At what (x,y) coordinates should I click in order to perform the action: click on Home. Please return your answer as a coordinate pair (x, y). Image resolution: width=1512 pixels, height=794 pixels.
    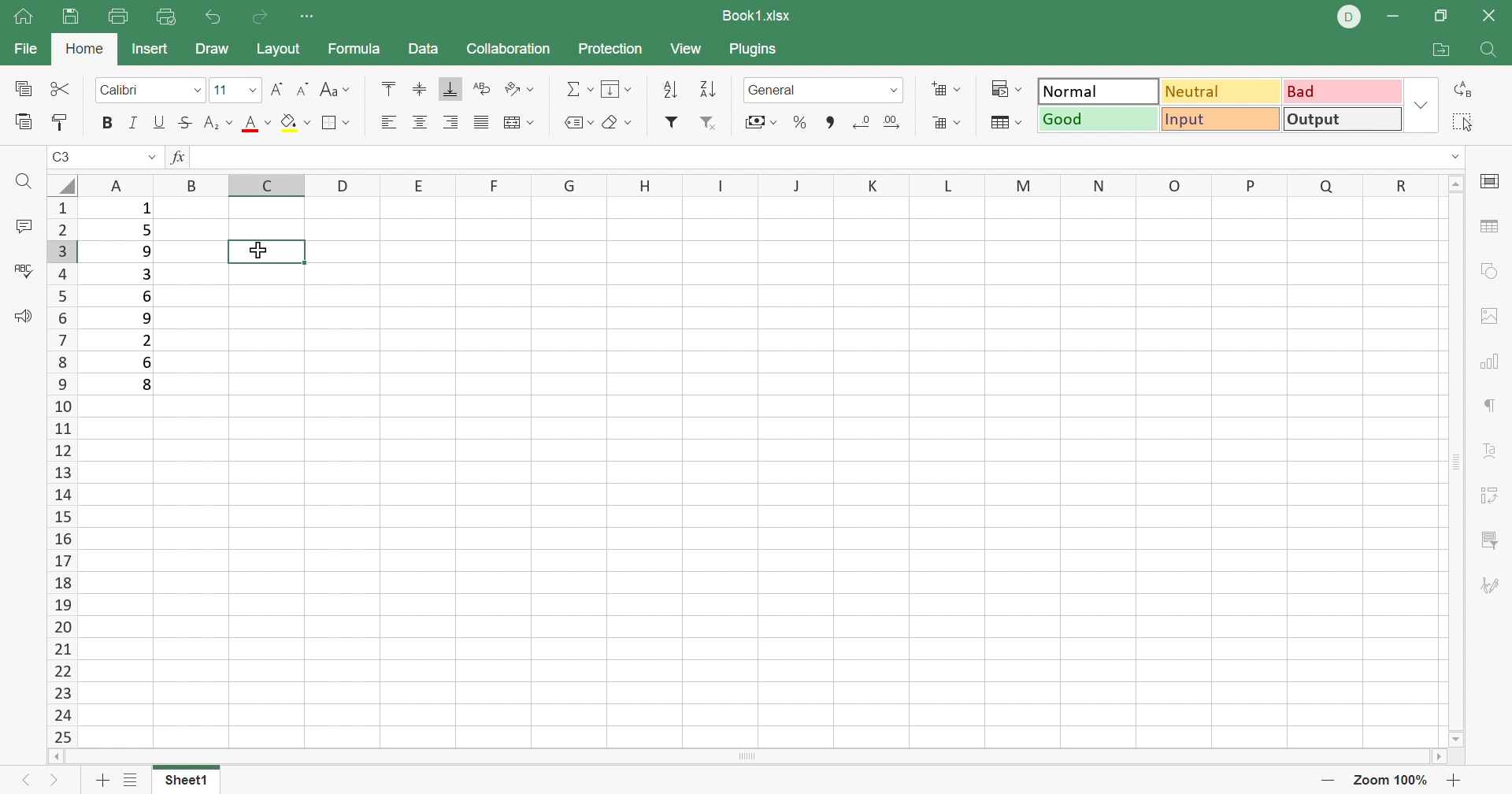
    Looking at the image, I should click on (23, 21).